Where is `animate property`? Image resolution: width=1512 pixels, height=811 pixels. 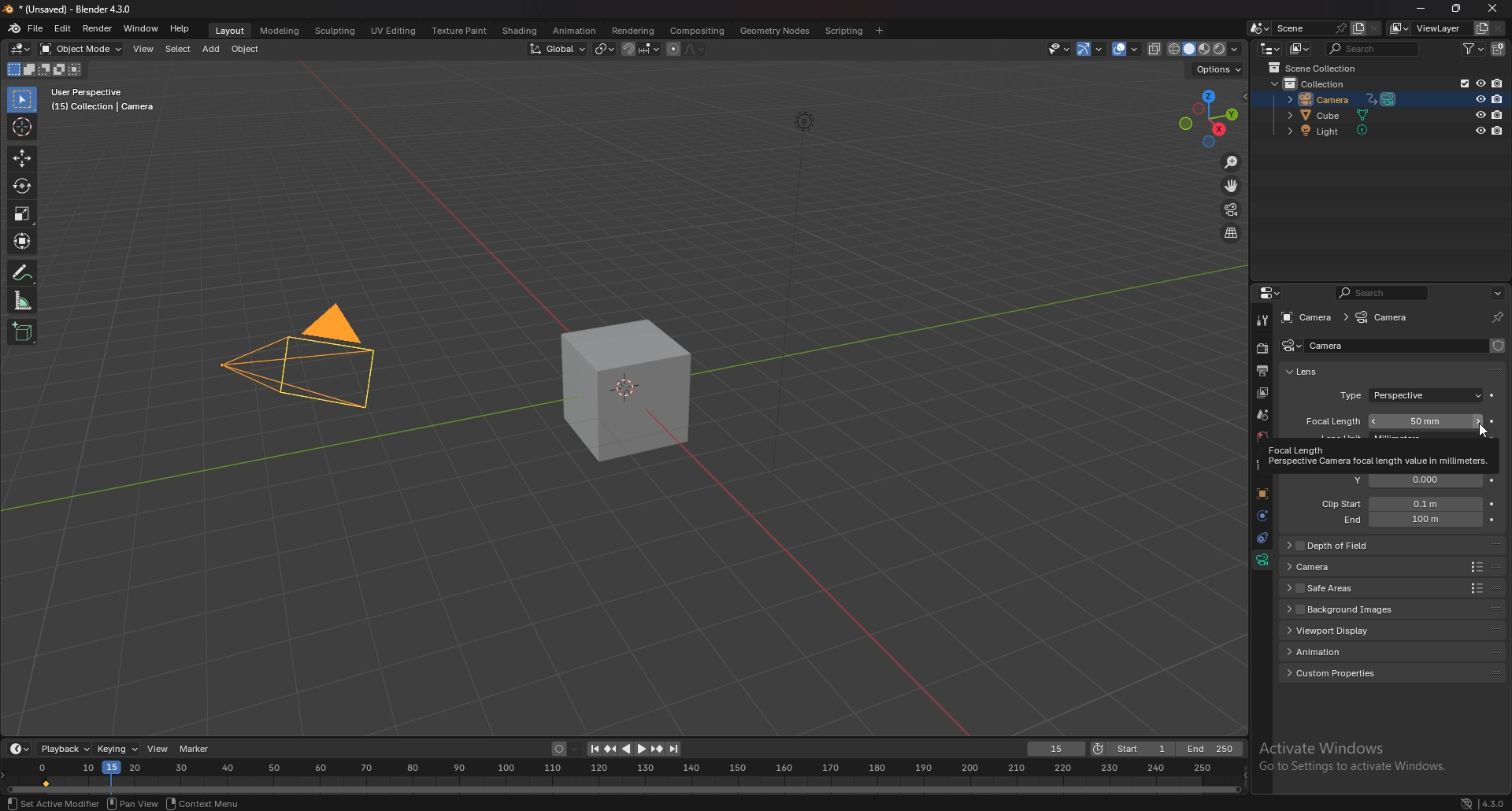
animate property is located at coordinates (1492, 422).